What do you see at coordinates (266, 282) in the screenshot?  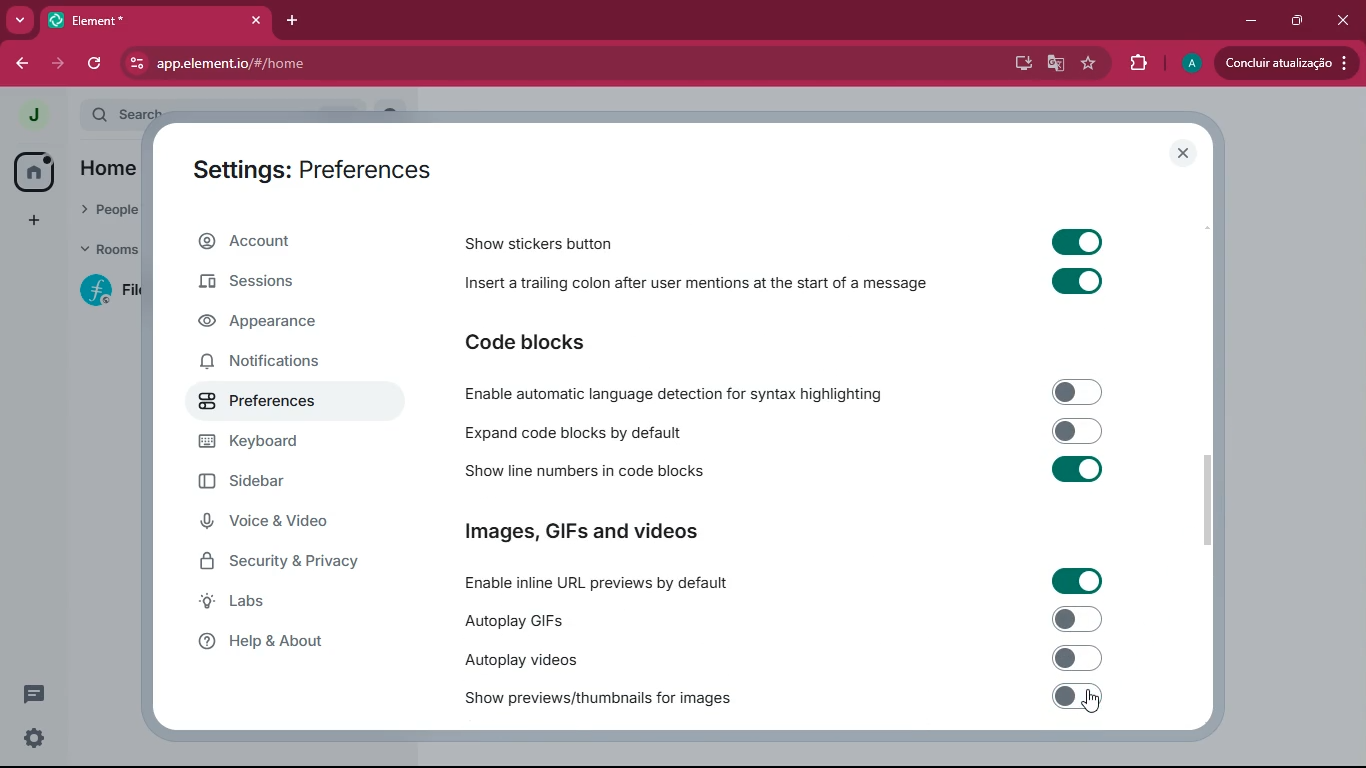 I see `Sessions` at bounding box center [266, 282].